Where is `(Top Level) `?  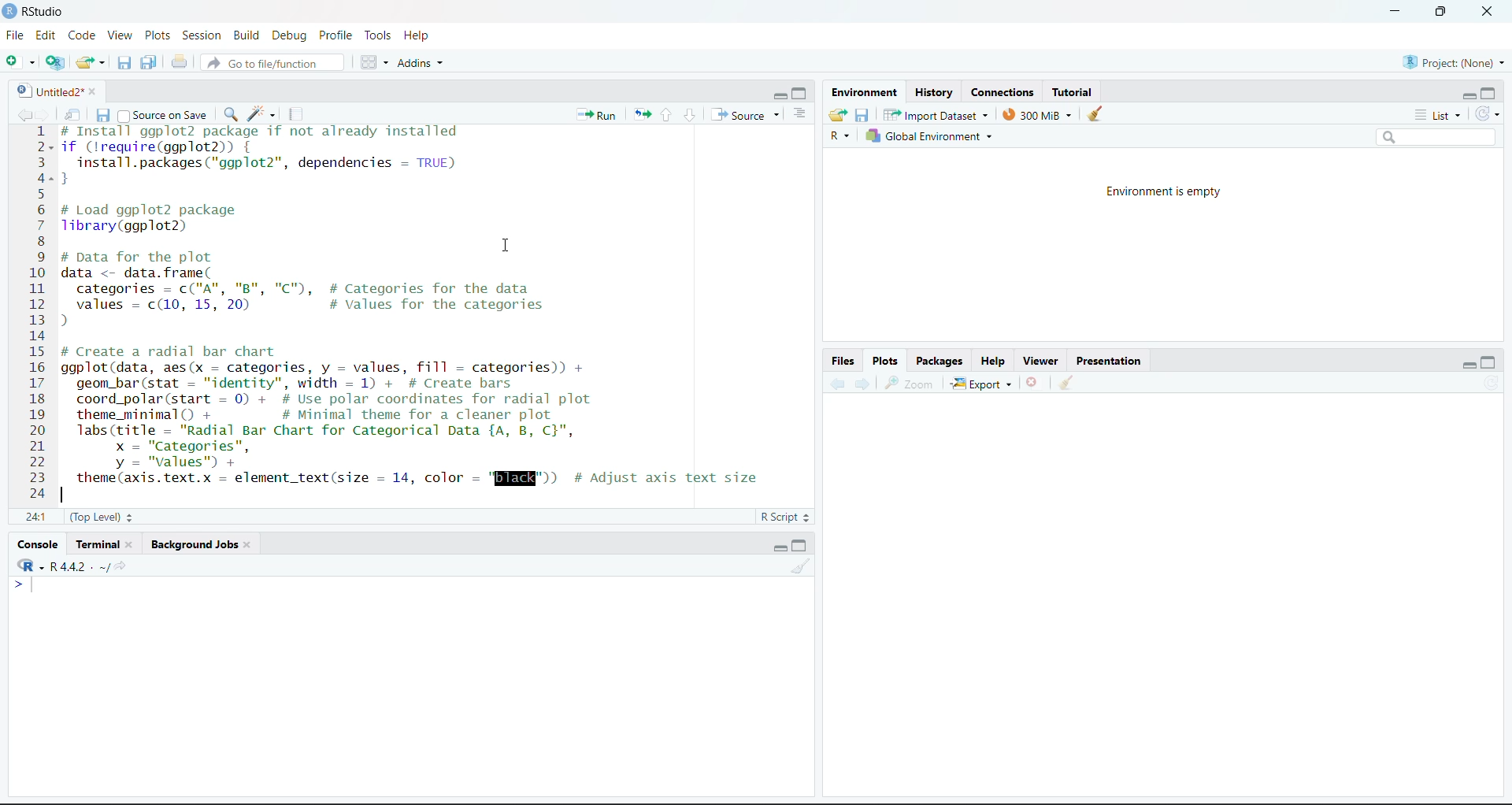 (Top Level)  is located at coordinates (101, 517).